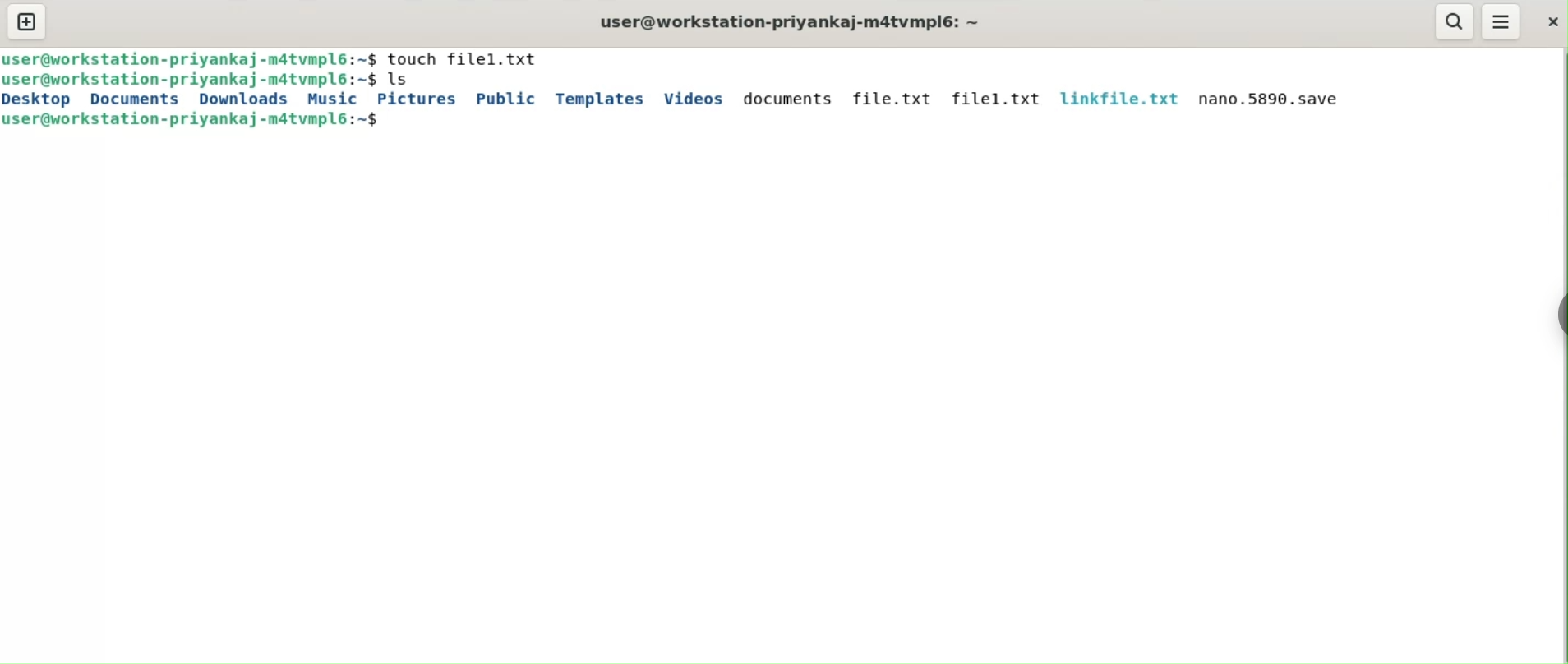  Describe the element at coordinates (192, 119) in the screenshot. I see `ser@workstation-priyankaj-matvmpl6:~$ | |` at that location.